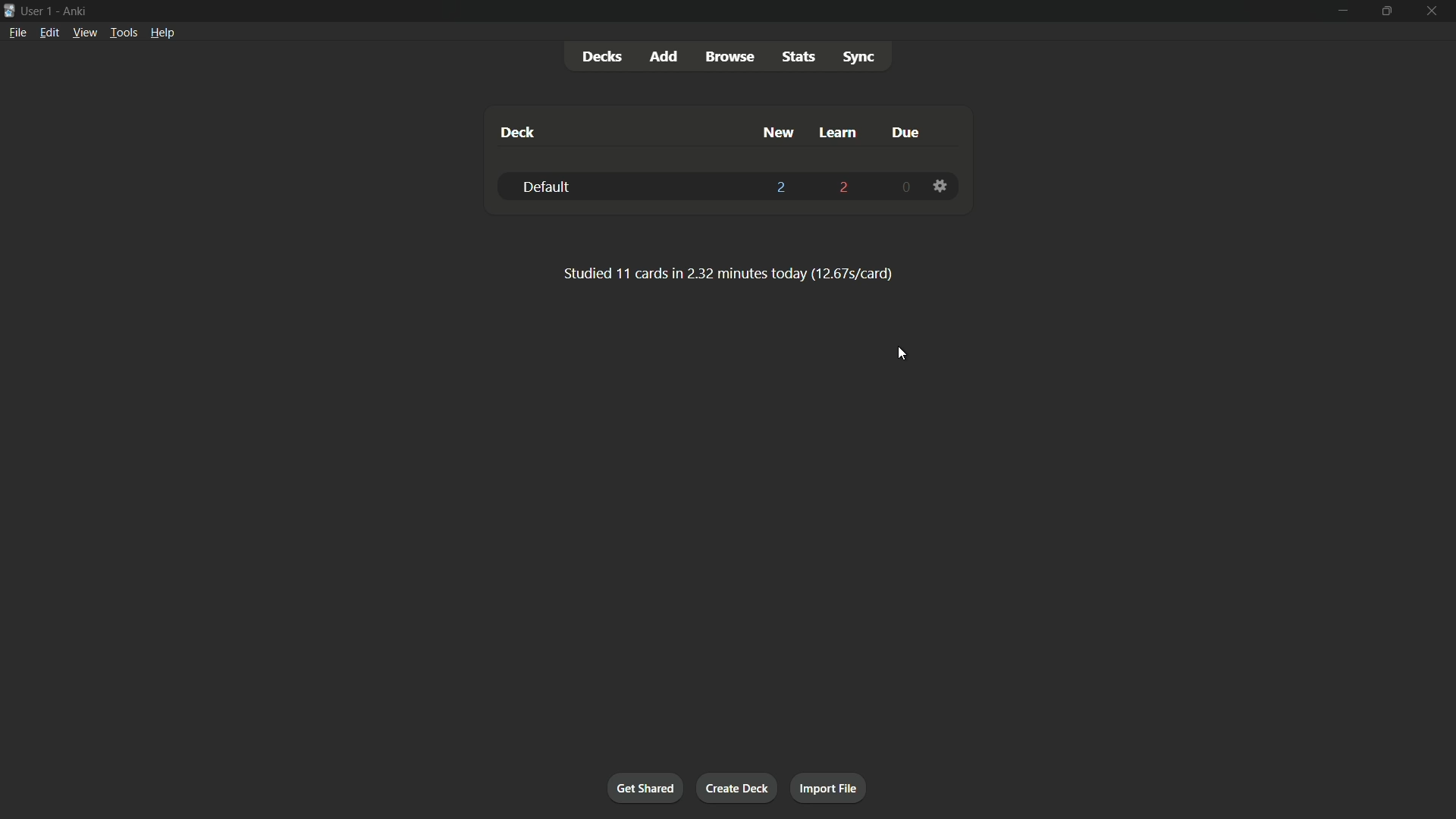 This screenshot has width=1456, height=819. Describe the element at coordinates (798, 56) in the screenshot. I see `stats` at that location.